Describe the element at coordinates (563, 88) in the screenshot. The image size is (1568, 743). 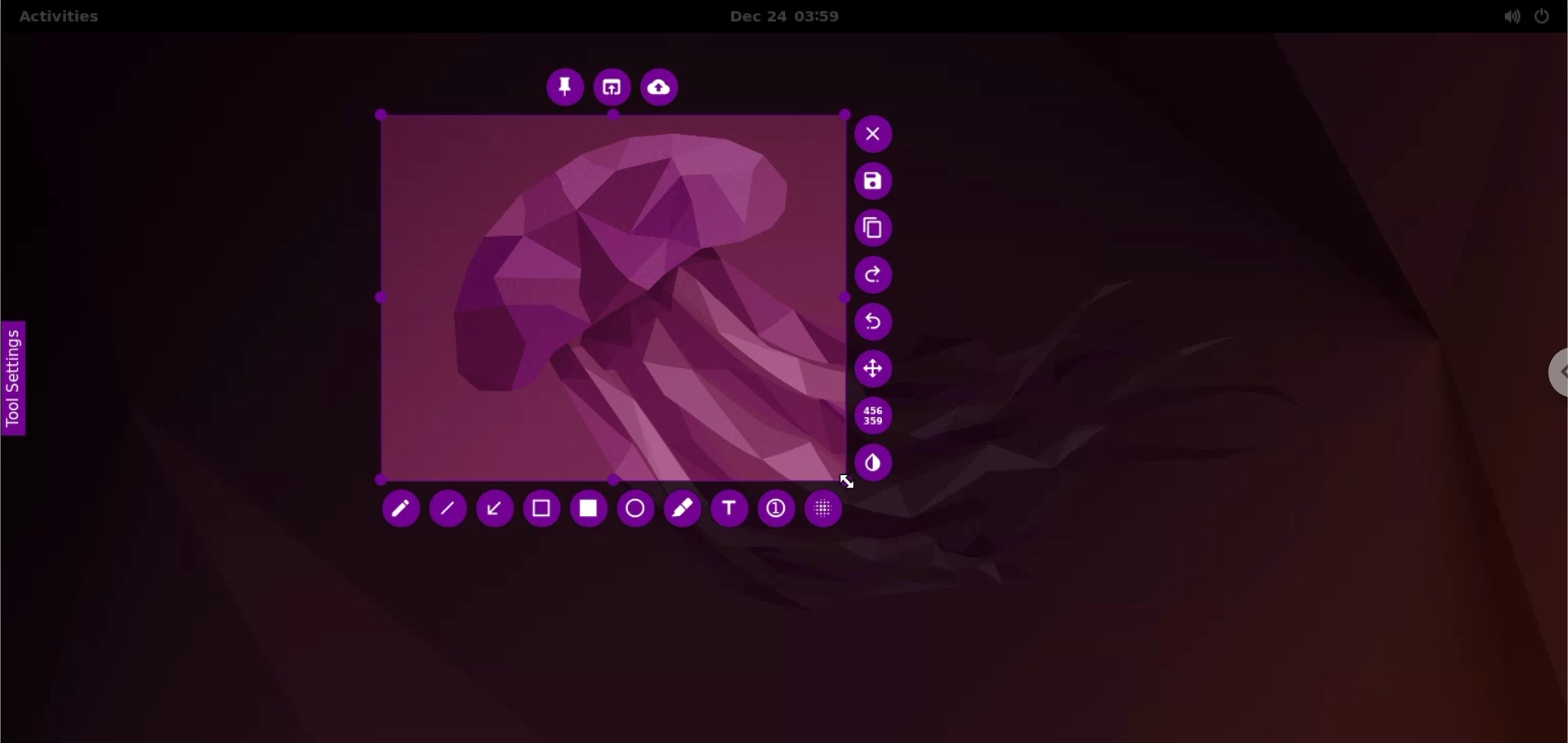
I see `pin` at that location.